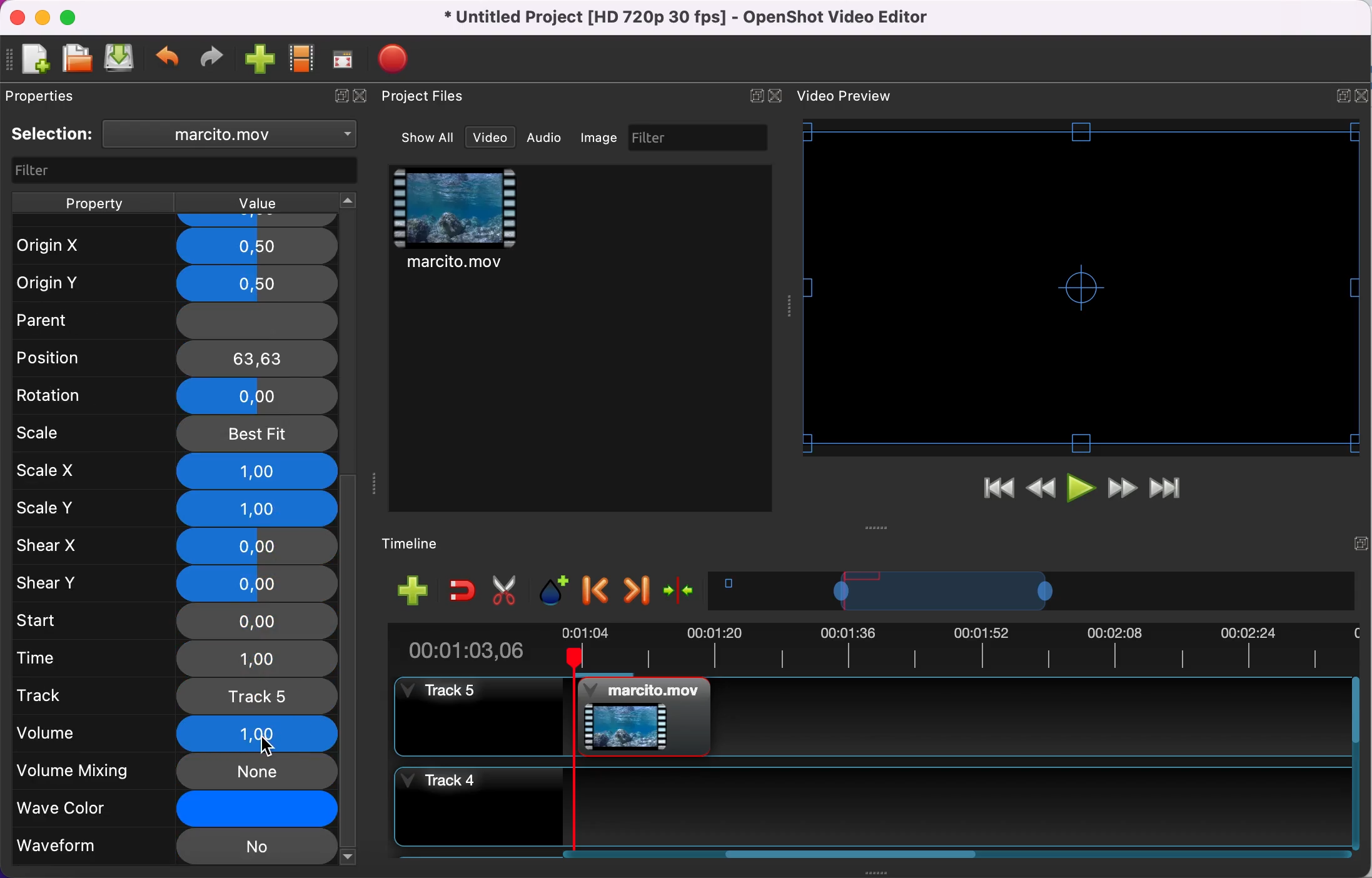 The image size is (1372, 878). Describe the element at coordinates (690, 18) in the screenshot. I see `title` at that location.